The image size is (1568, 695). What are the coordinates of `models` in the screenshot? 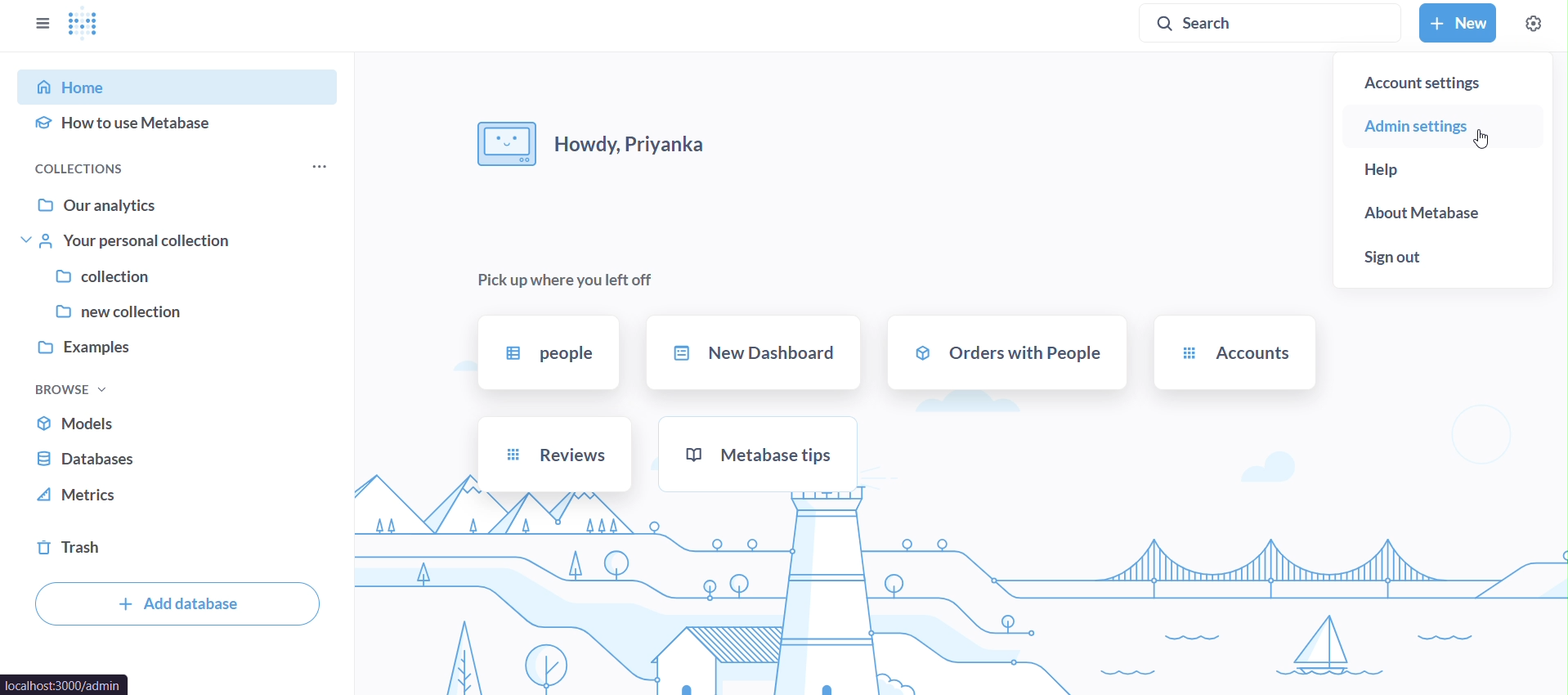 It's located at (178, 424).